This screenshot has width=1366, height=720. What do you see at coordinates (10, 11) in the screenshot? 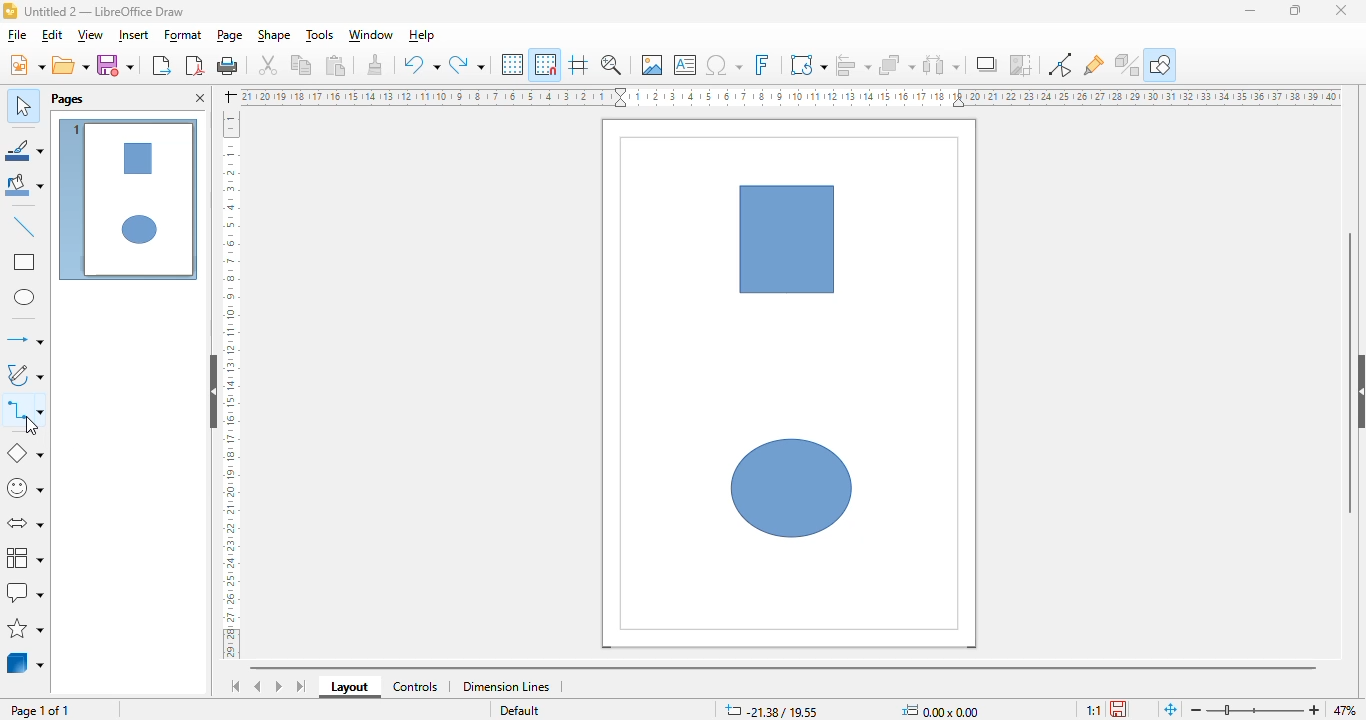
I see `logo` at bounding box center [10, 11].